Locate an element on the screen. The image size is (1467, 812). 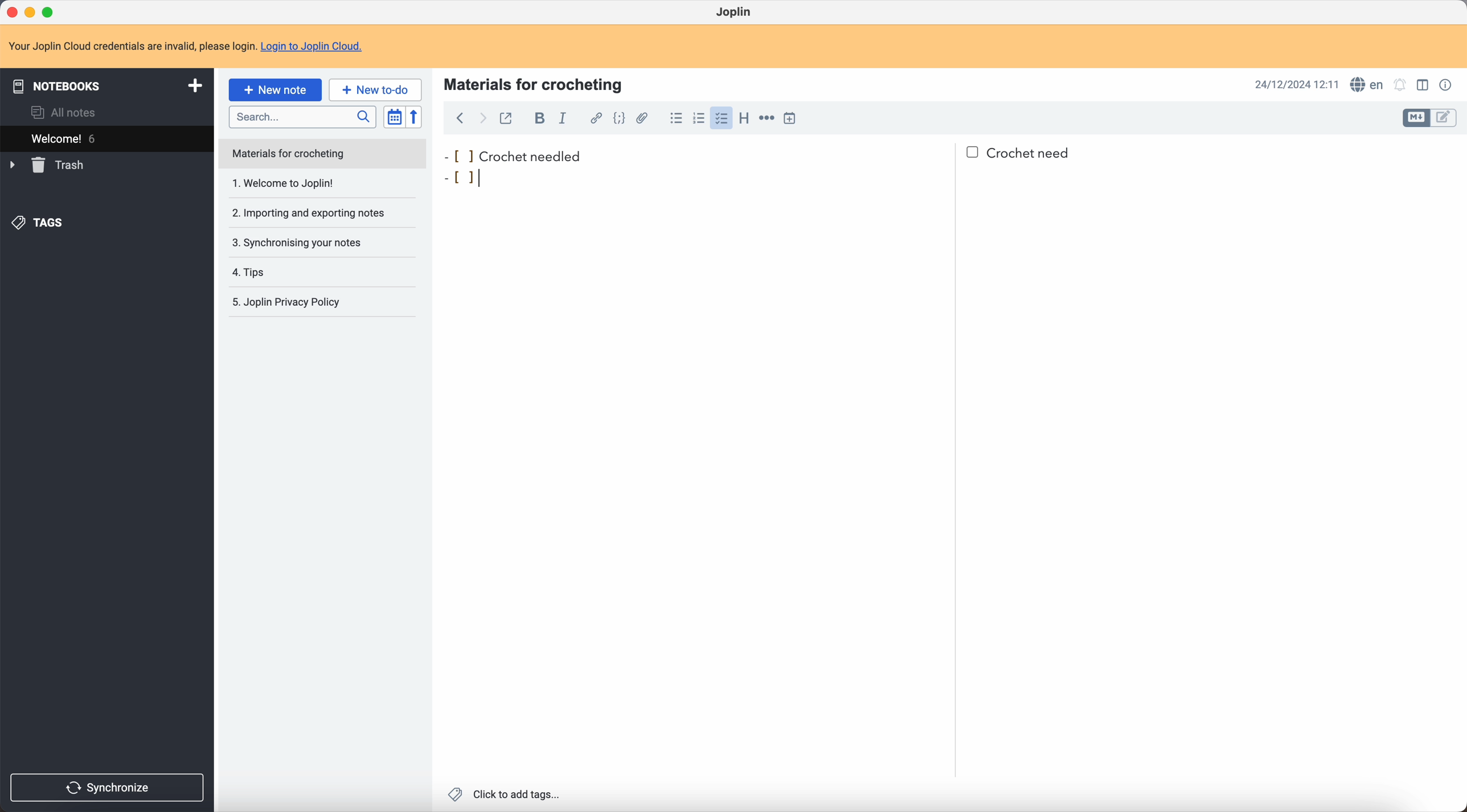
new to-do is located at coordinates (375, 89).